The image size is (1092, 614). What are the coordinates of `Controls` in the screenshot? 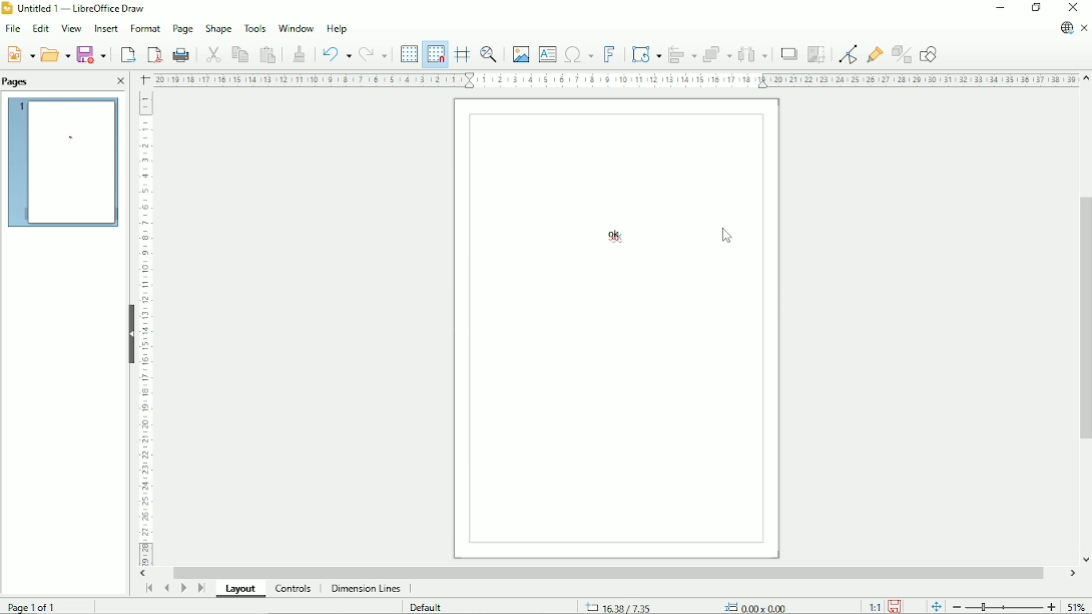 It's located at (293, 589).